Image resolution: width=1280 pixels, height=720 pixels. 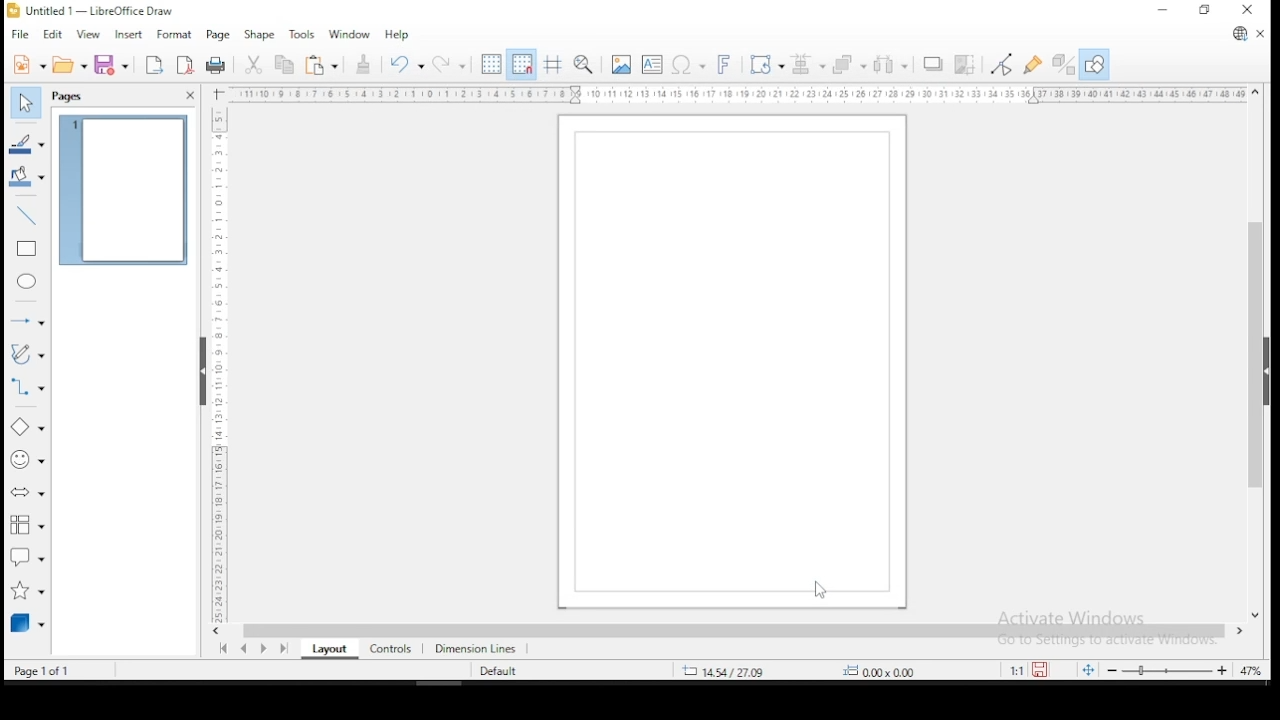 I want to click on format, so click(x=175, y=36).